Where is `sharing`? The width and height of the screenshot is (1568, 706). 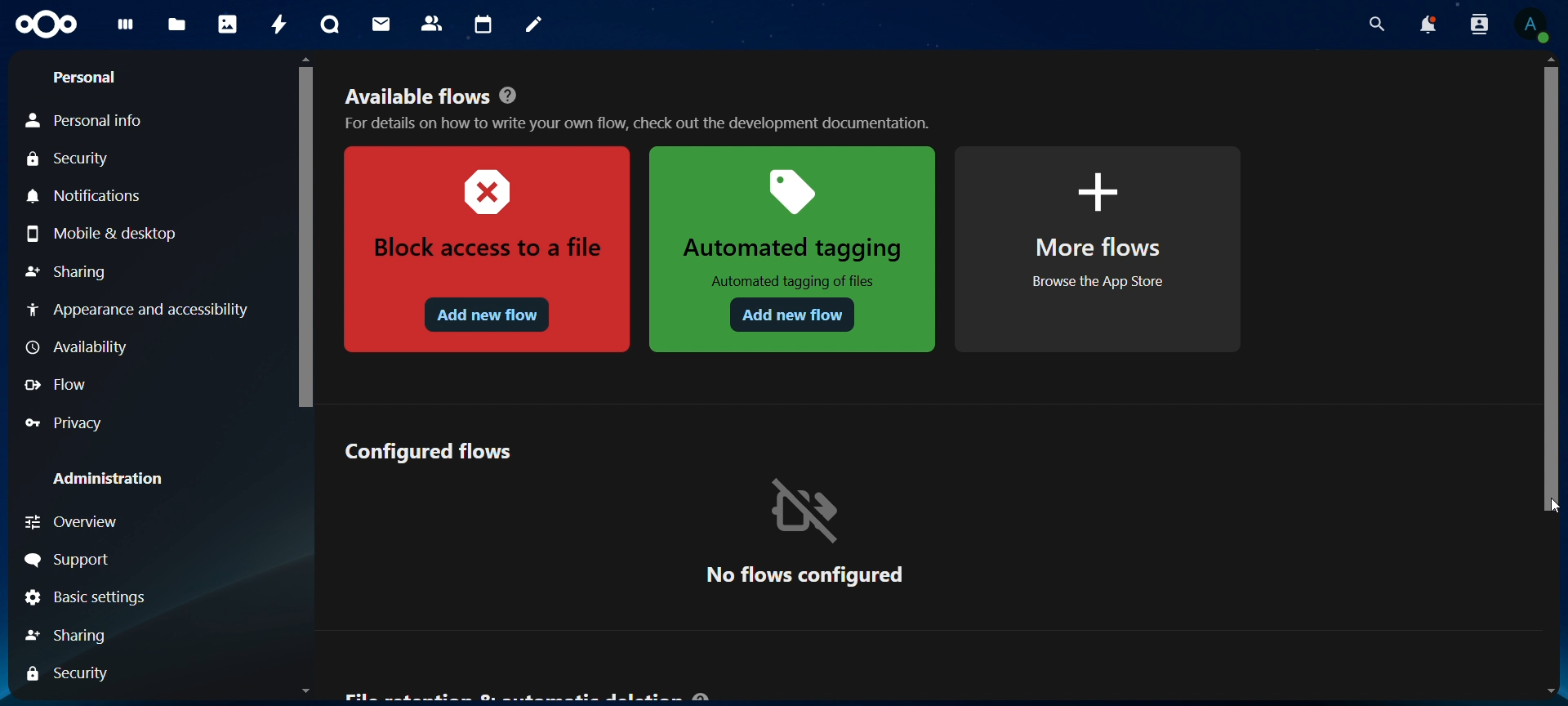 sharing is located at coordinates (66, 274).